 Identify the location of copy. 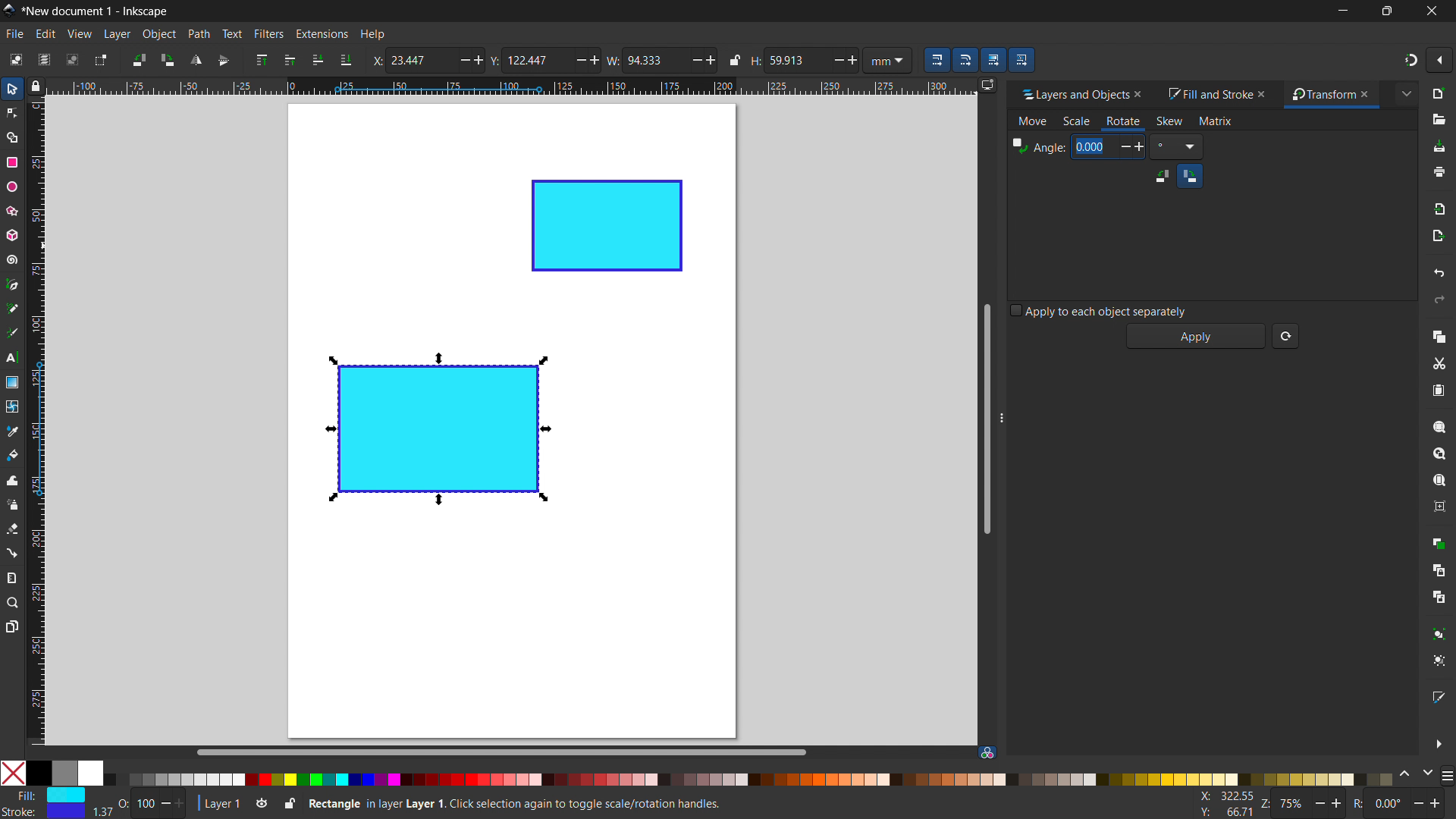
(1439, 336).